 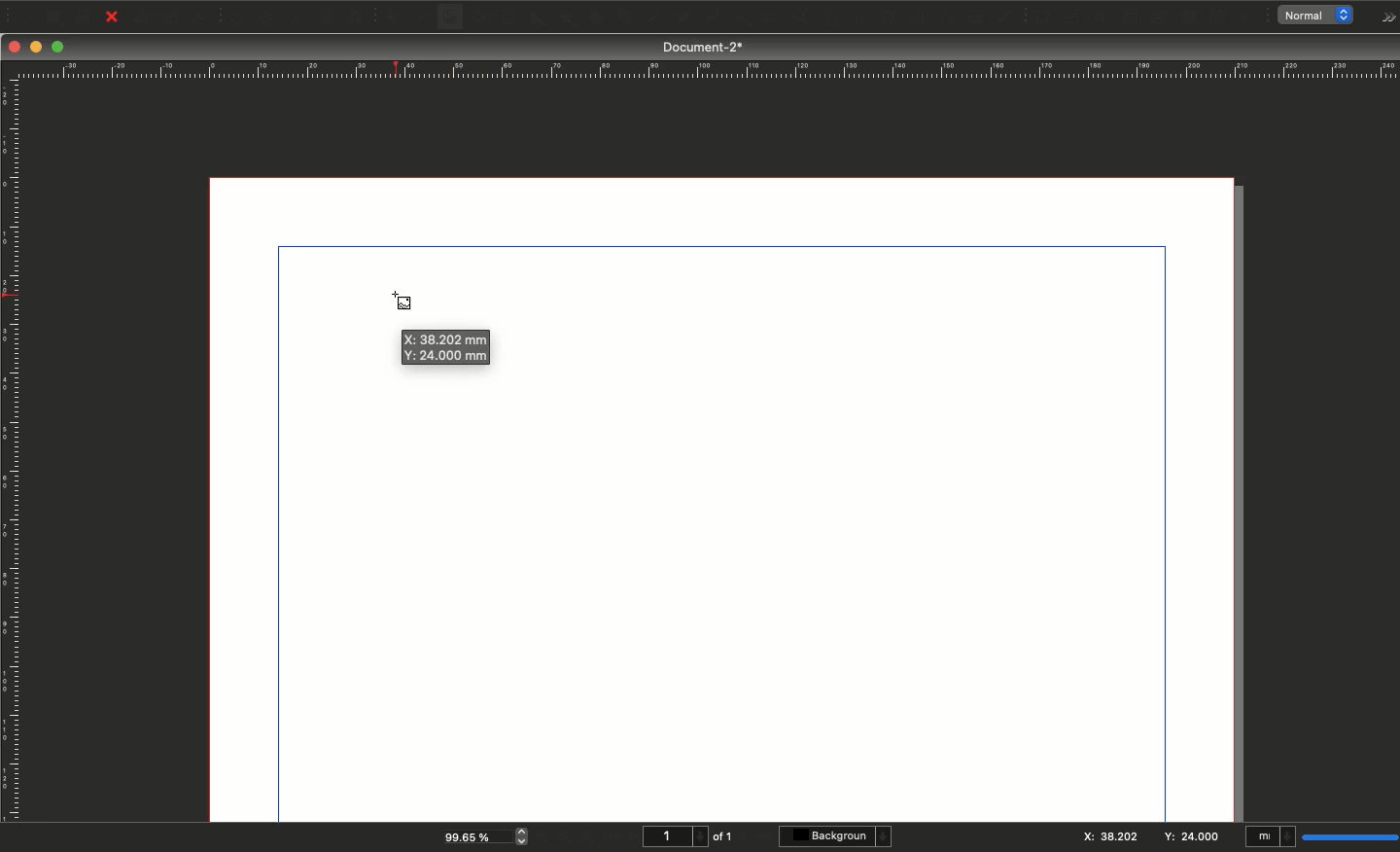 I want to click on Options, so click(x=1384, y=18).